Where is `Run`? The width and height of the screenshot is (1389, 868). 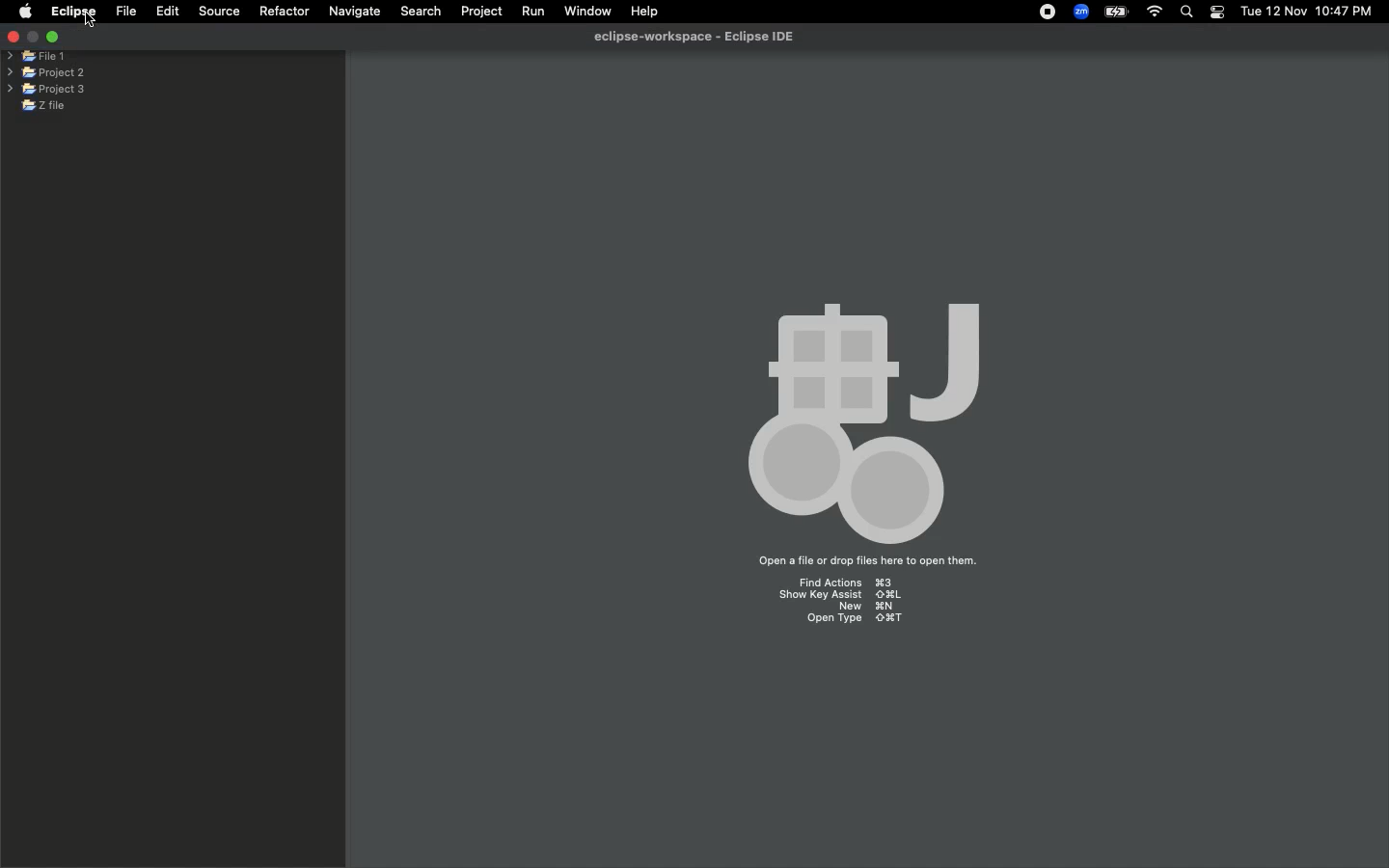 Run is located at coordinates (529, 12).